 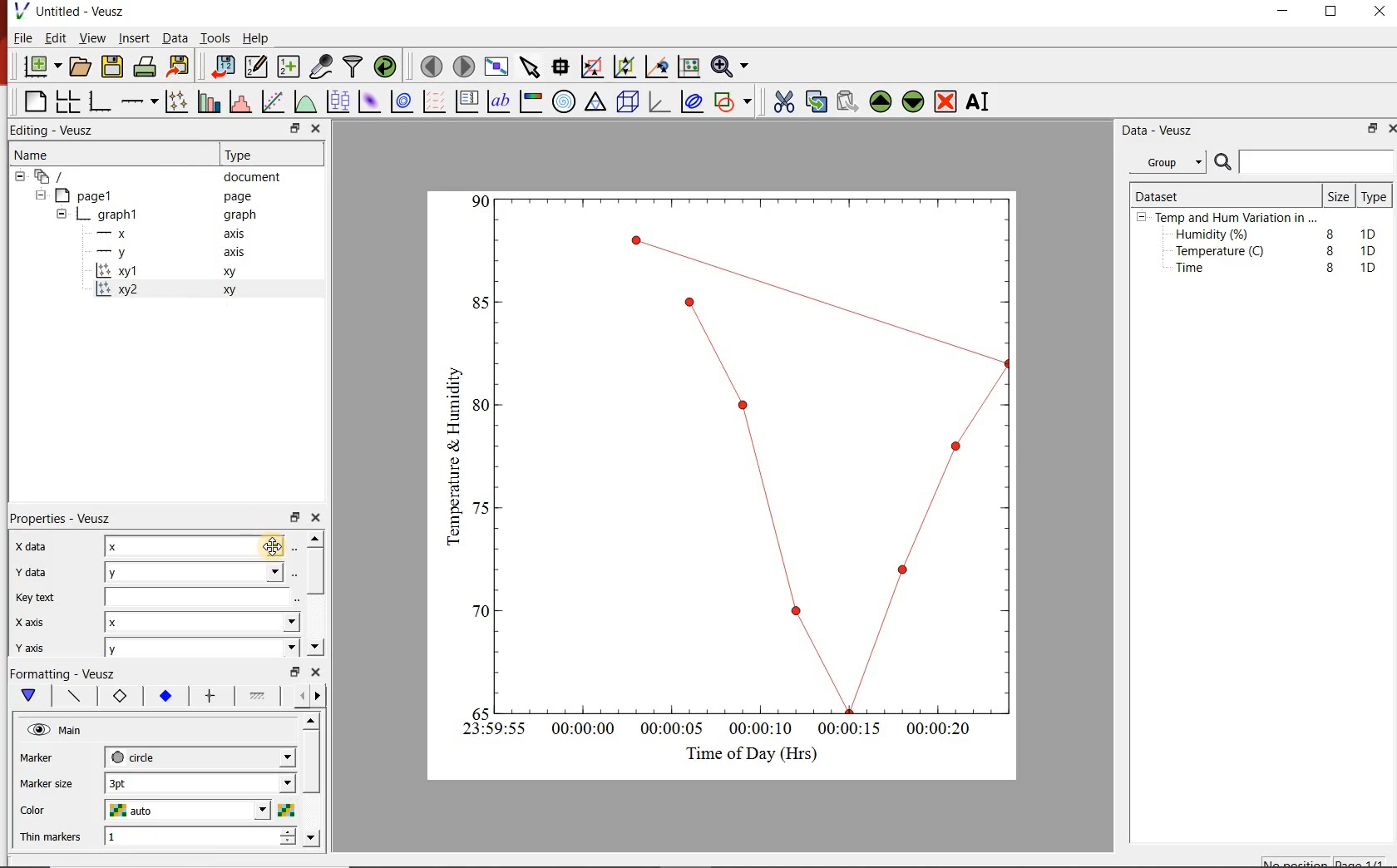 What do you see at coordinates (1340, 12) in the screenshot?
I see `maximize` at bounding box center [1340, 12].